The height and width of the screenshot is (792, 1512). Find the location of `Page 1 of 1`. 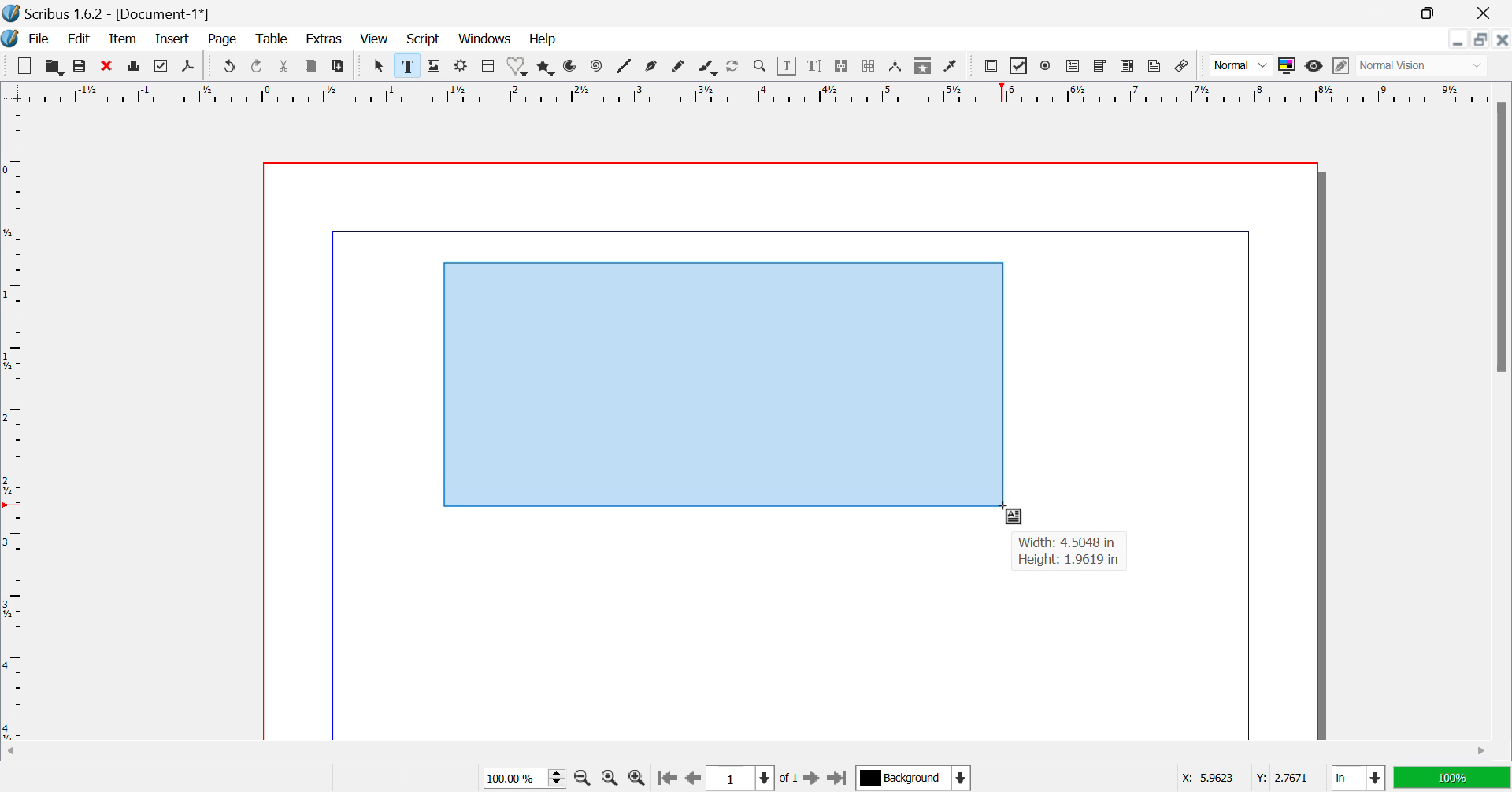

Page 1 of 1 is located at coordinates (752, 777).